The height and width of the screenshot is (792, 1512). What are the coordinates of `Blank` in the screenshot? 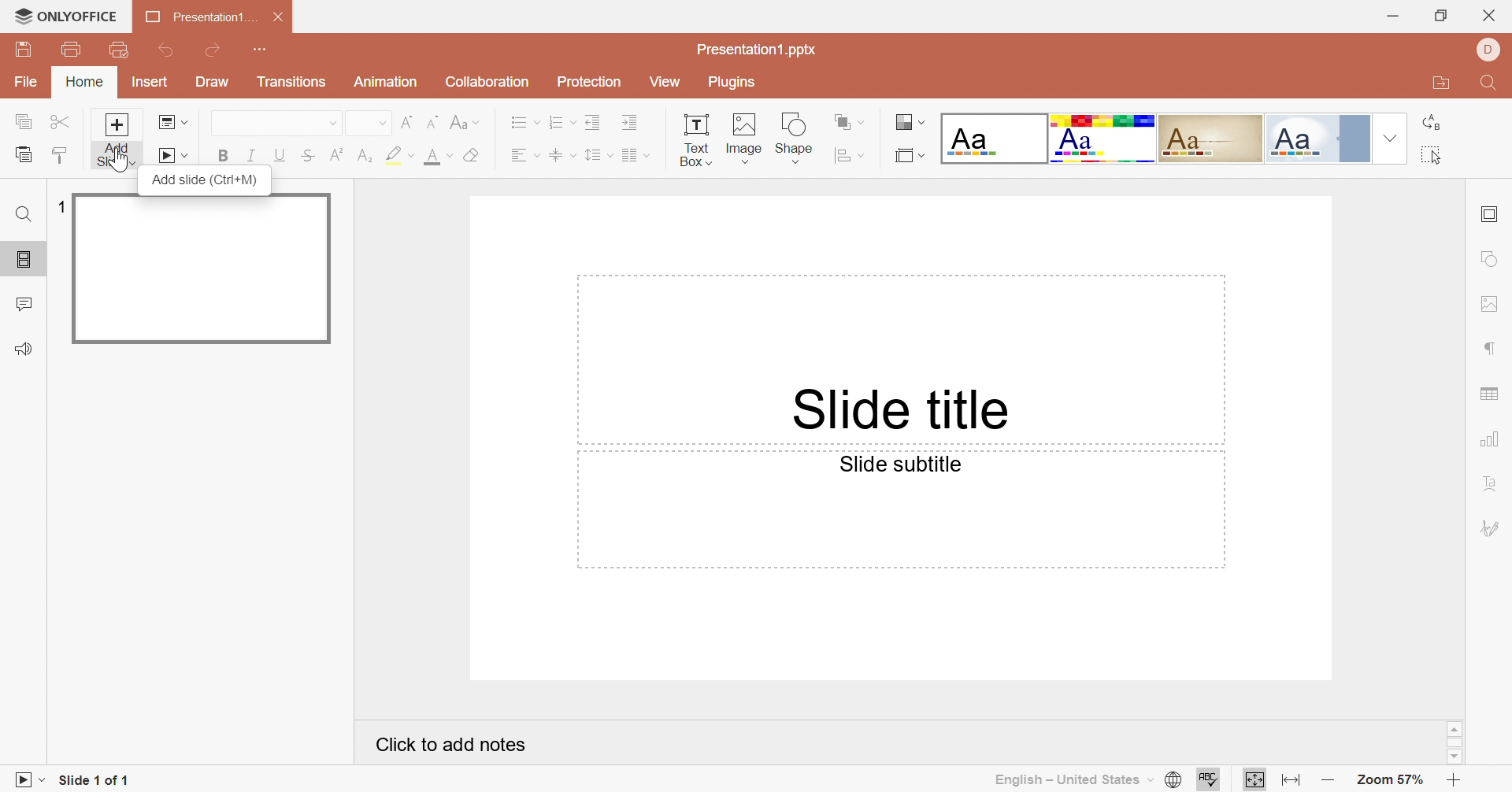 It's located at (995, 139).